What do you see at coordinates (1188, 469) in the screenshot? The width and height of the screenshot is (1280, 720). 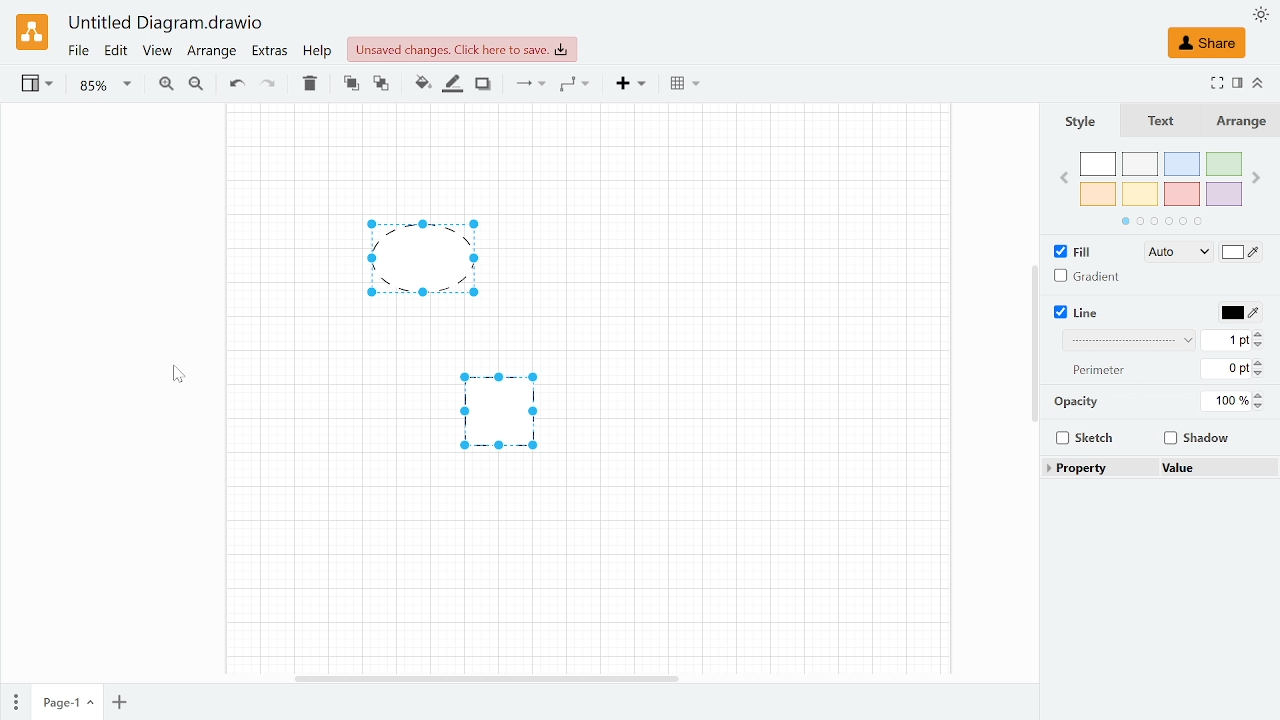 I see `Value` at bounding box center [1188, 469].